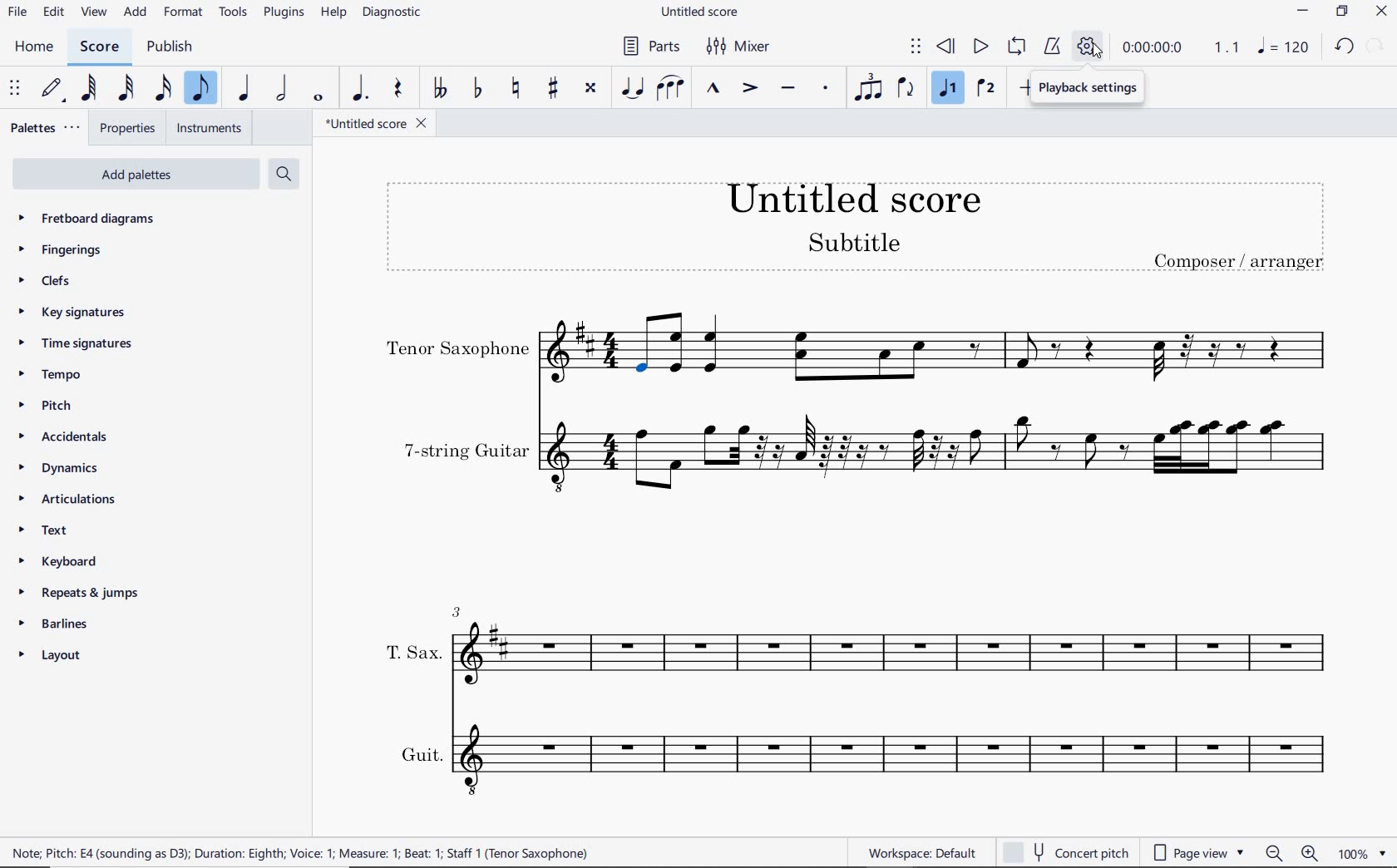  I want to click on REST, so click(396, 89).